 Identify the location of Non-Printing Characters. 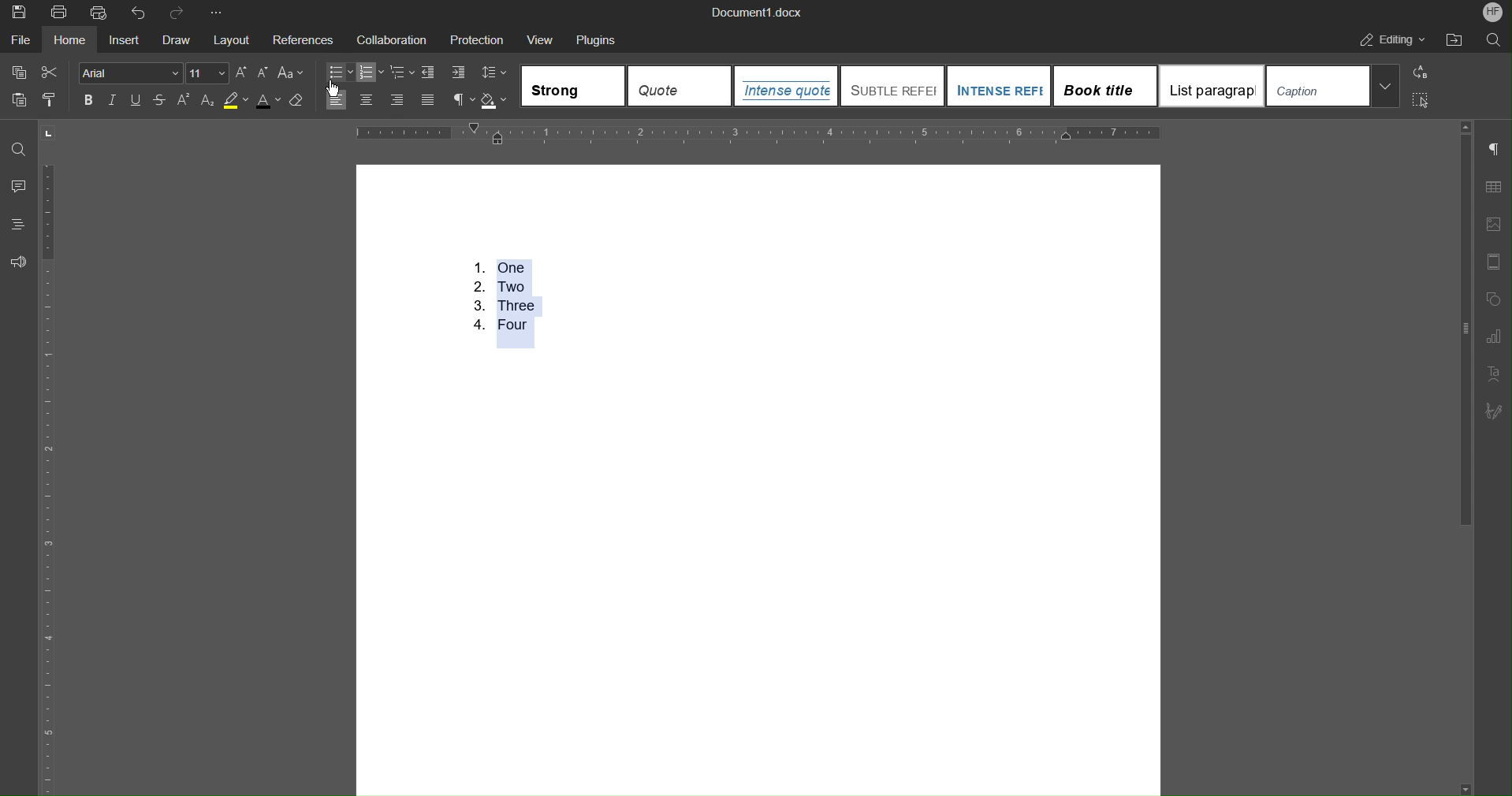
(463, 101).